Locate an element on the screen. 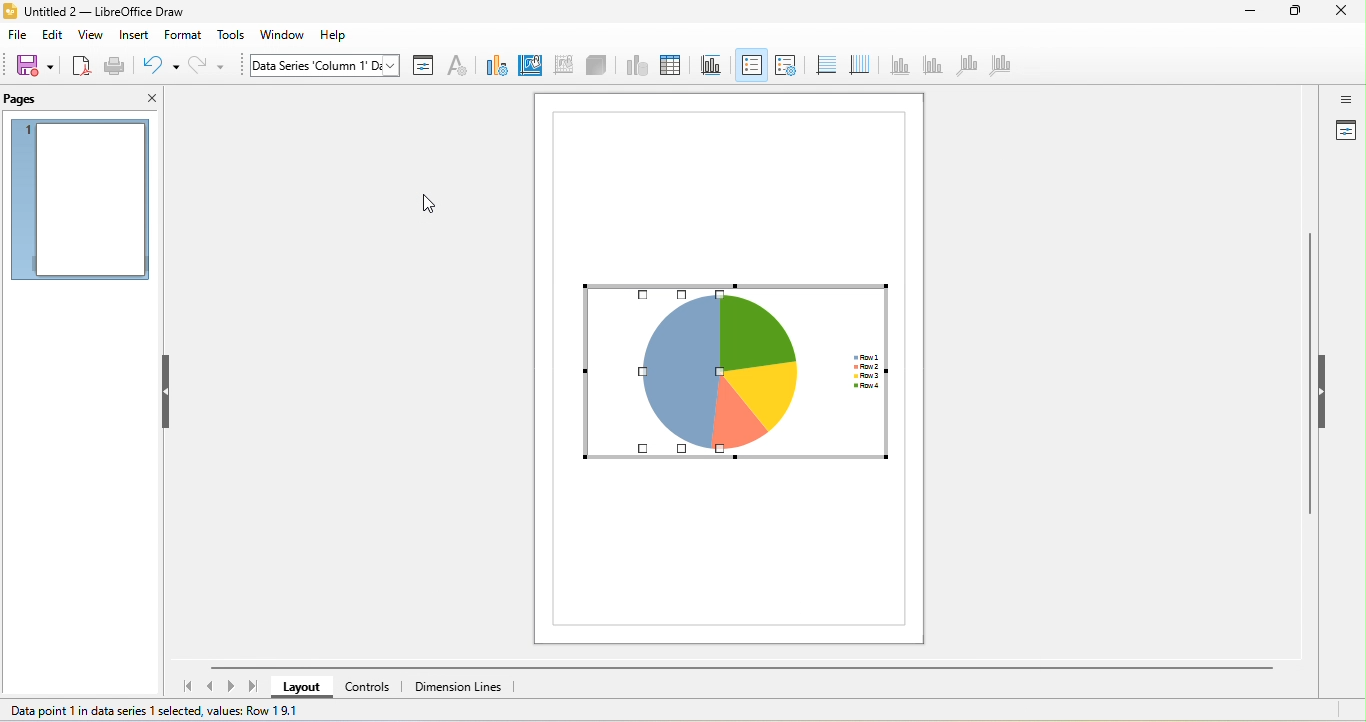  no preview is located at coordinates (81, 201).